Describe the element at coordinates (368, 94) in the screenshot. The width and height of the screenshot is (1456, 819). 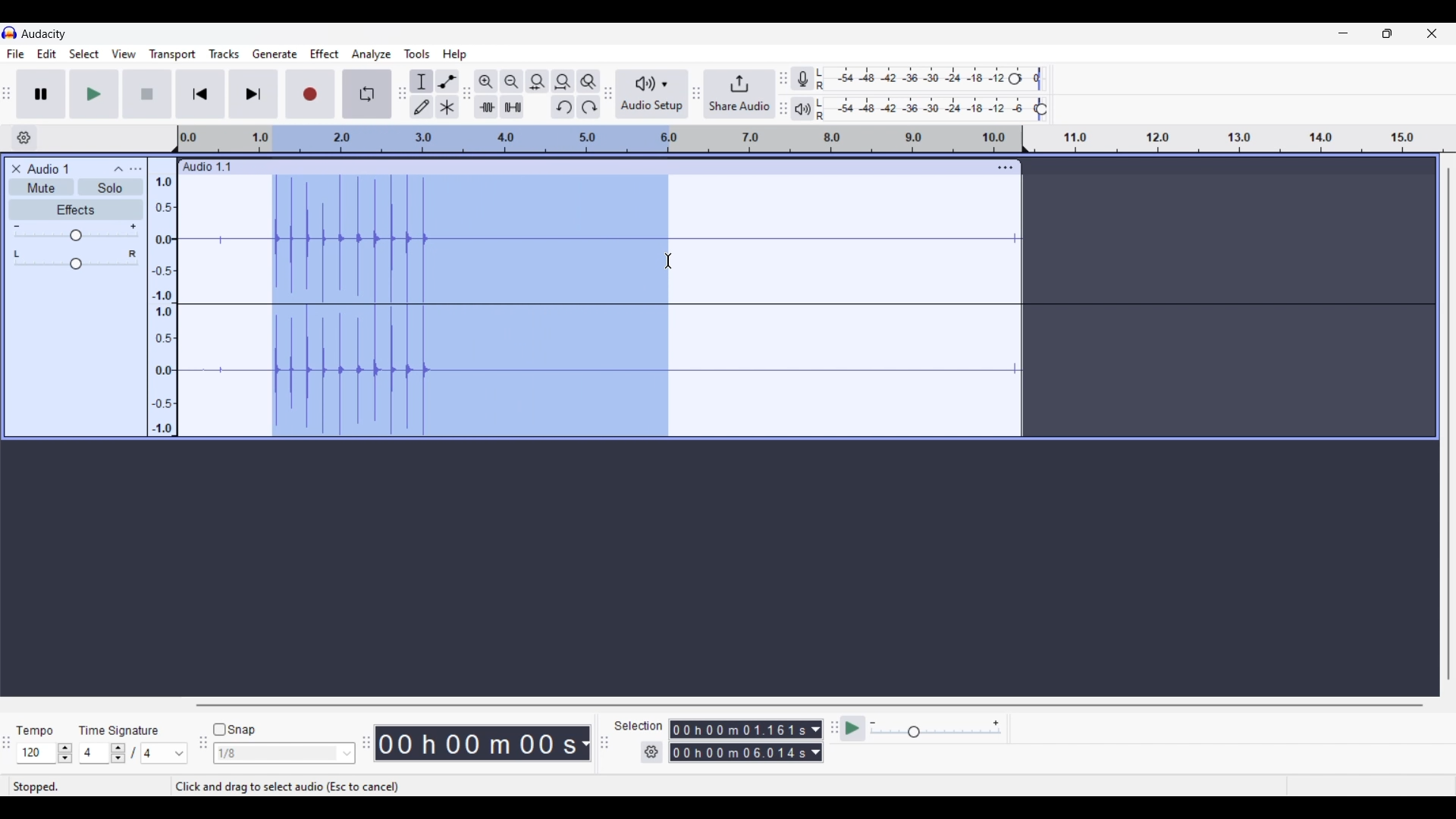
I see `Enable looping` at that location.